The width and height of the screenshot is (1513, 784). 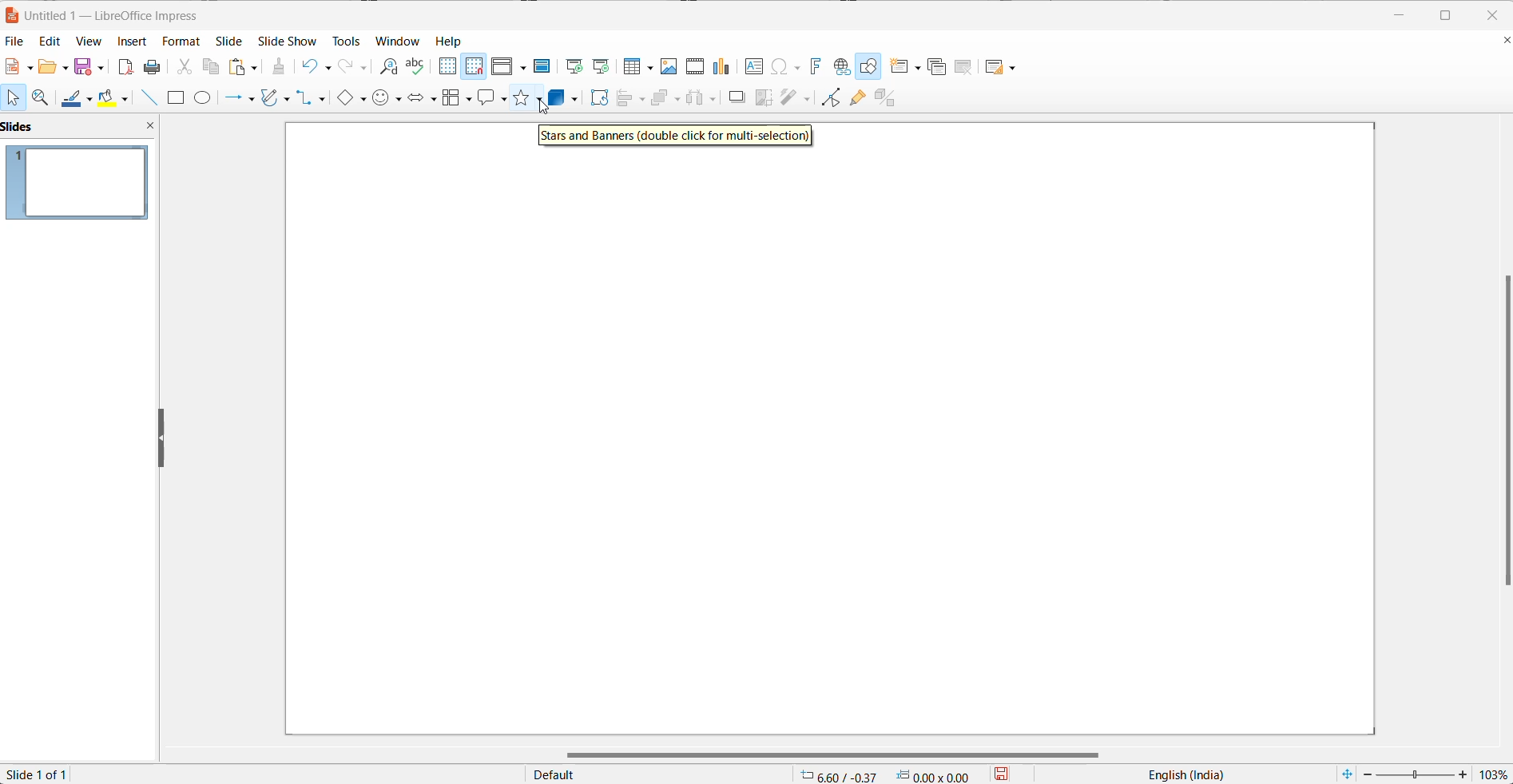 I want to click on save, so click(x=89, y=66).